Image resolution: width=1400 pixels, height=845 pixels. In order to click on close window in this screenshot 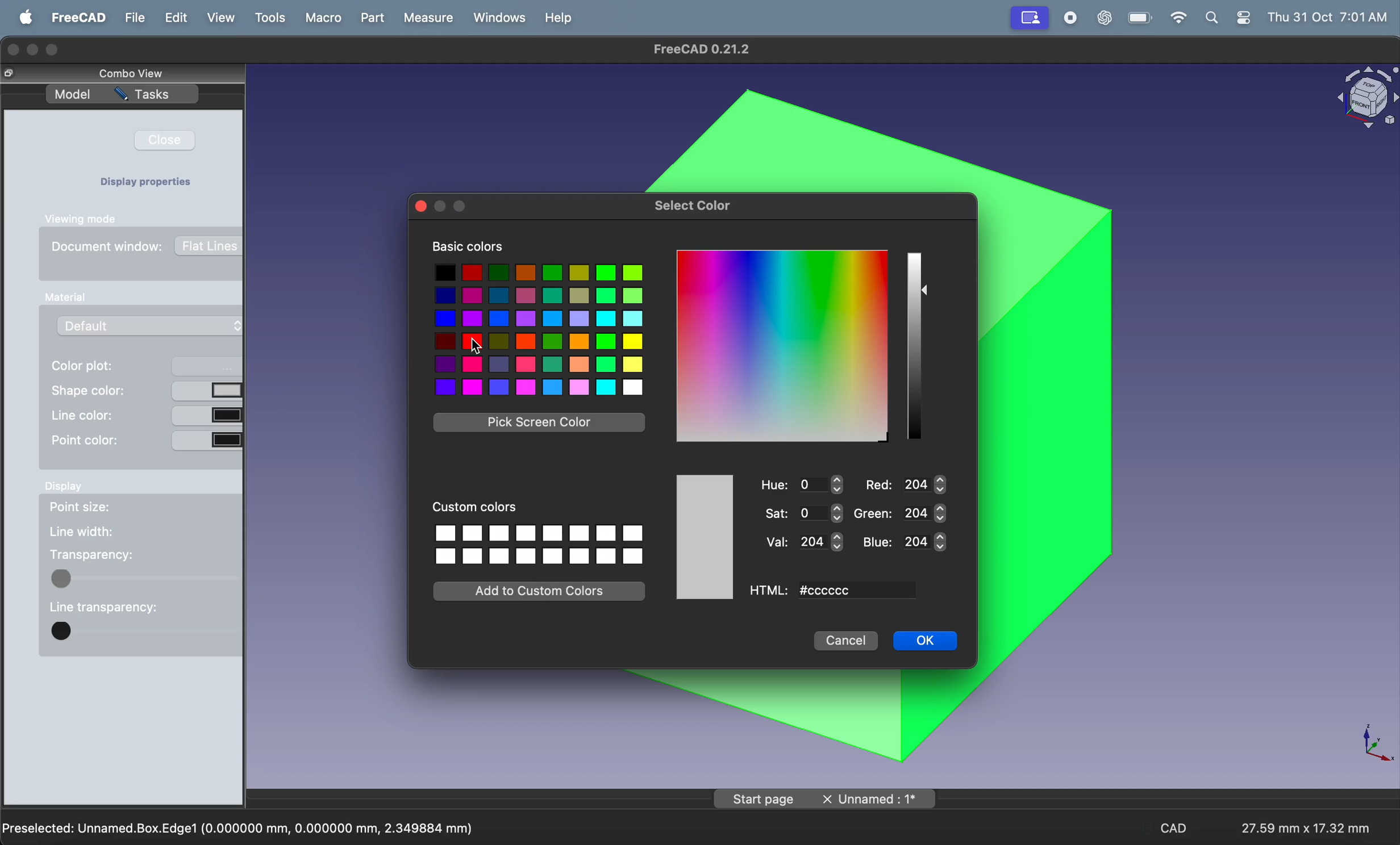, I will do `click(420, 204)`.